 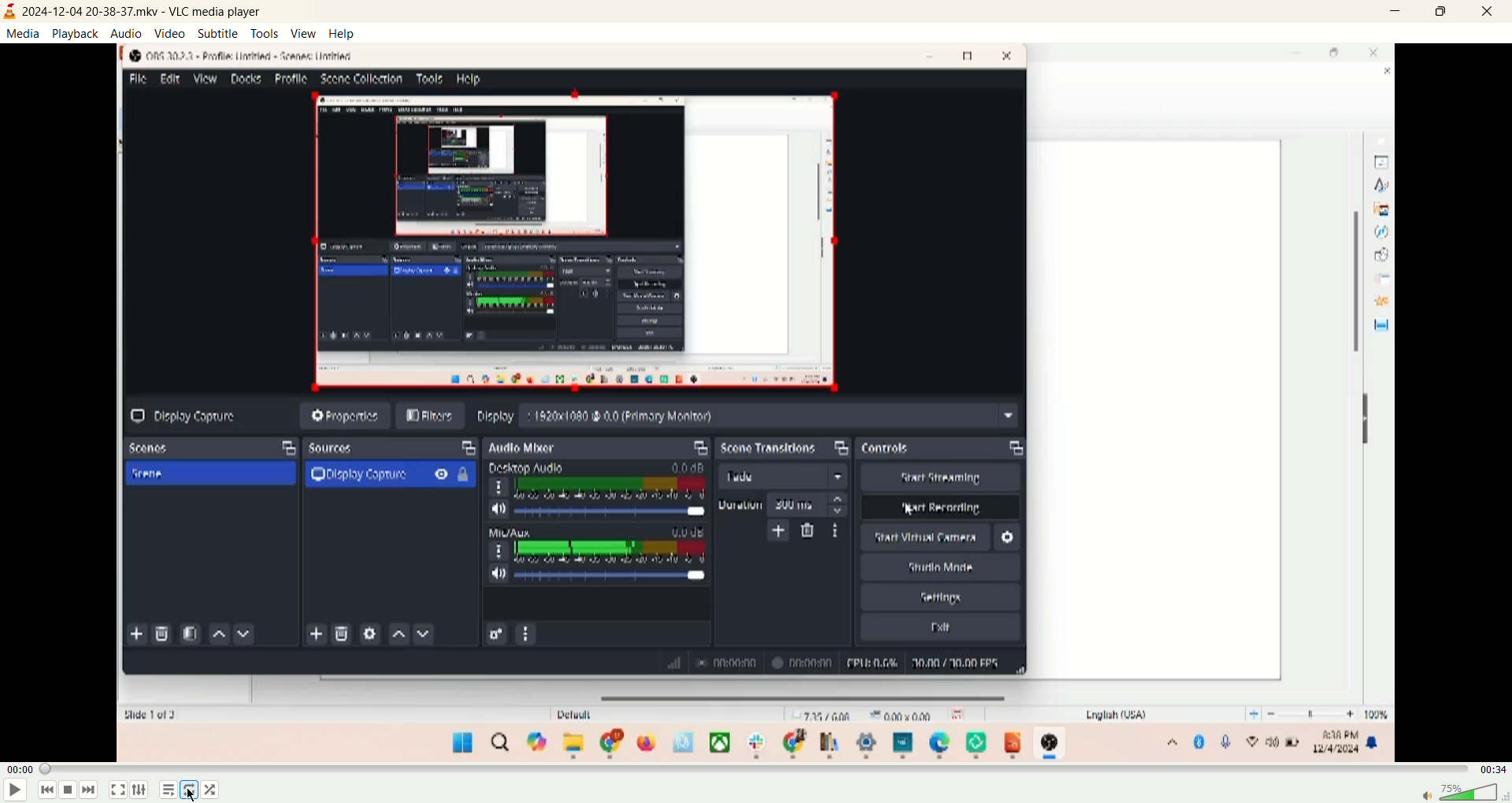 I want to click on extended settings, so click(x=140, y=790).